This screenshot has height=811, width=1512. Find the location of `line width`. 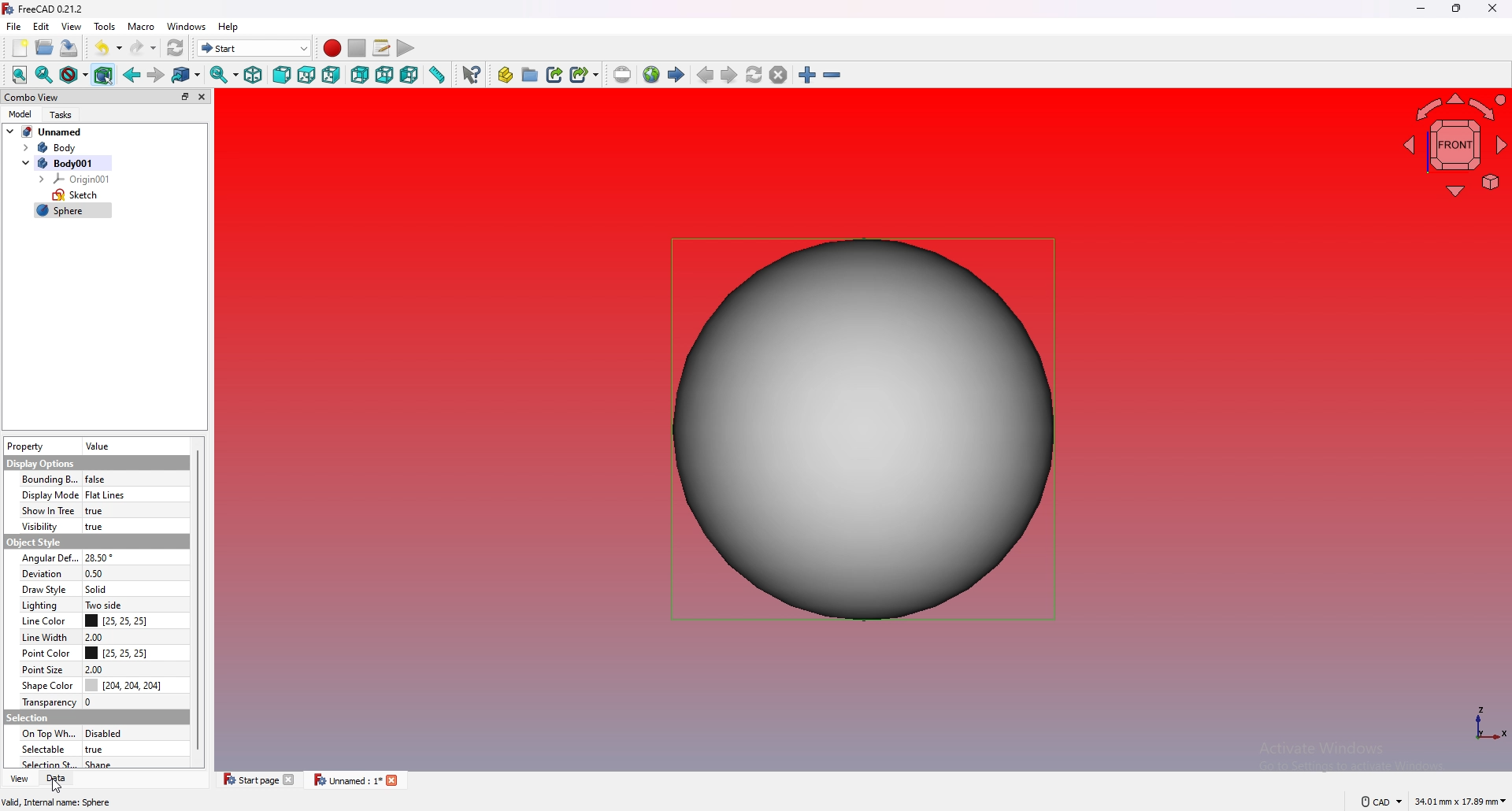

line width is located at coordinates (94, 637).